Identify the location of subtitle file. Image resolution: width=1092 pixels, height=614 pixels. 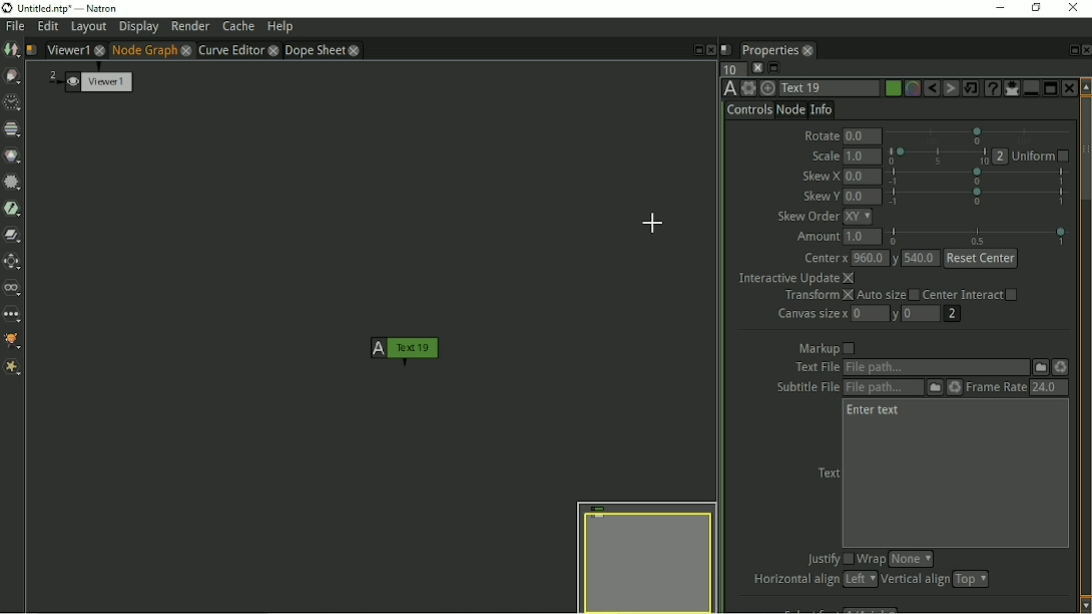
(808, 388).